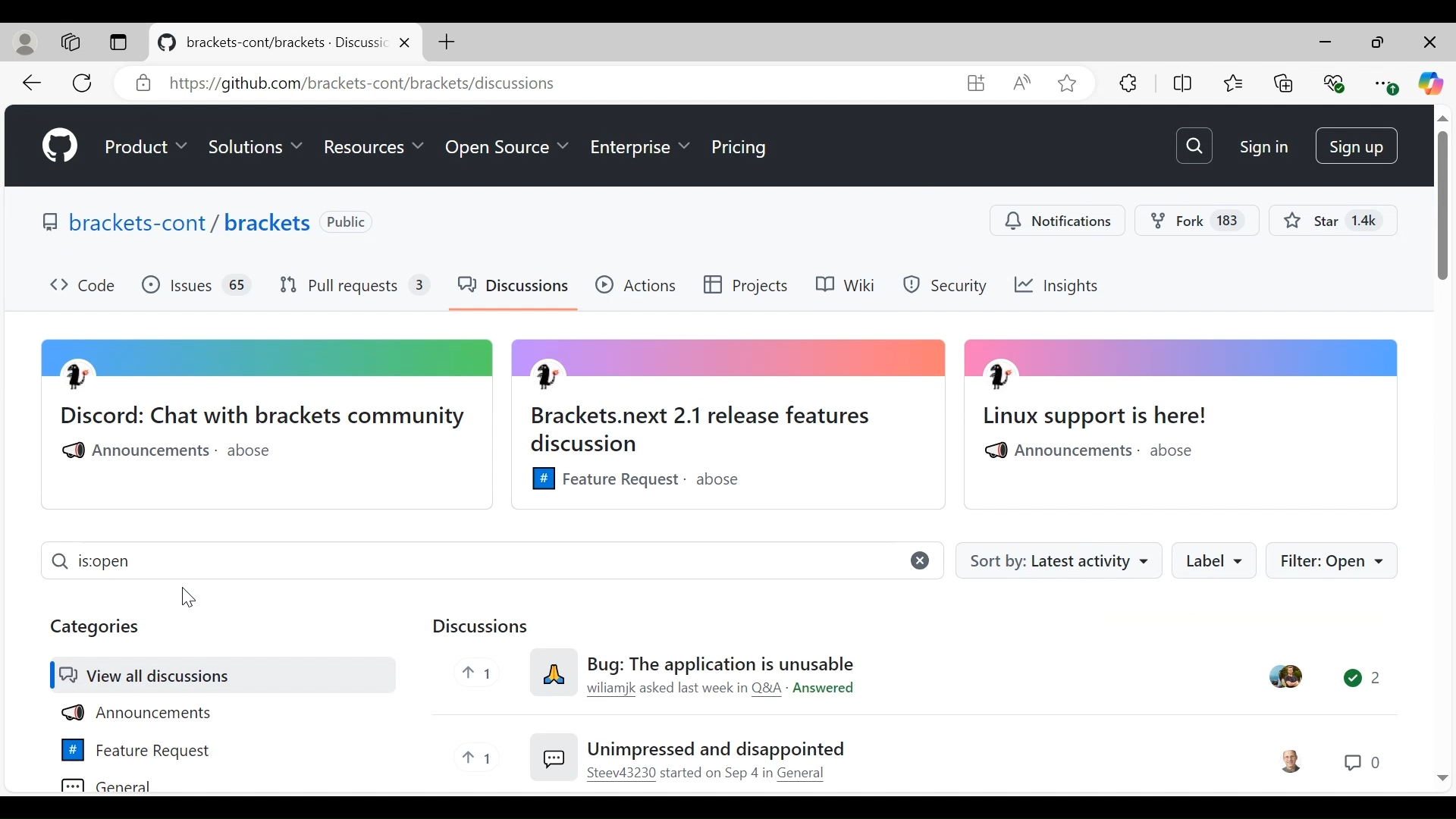 This screenshot has height=819, width=1456. Describe the element at coordinates (62, 146) in the screenshot. I see `Github Icon` at that location.